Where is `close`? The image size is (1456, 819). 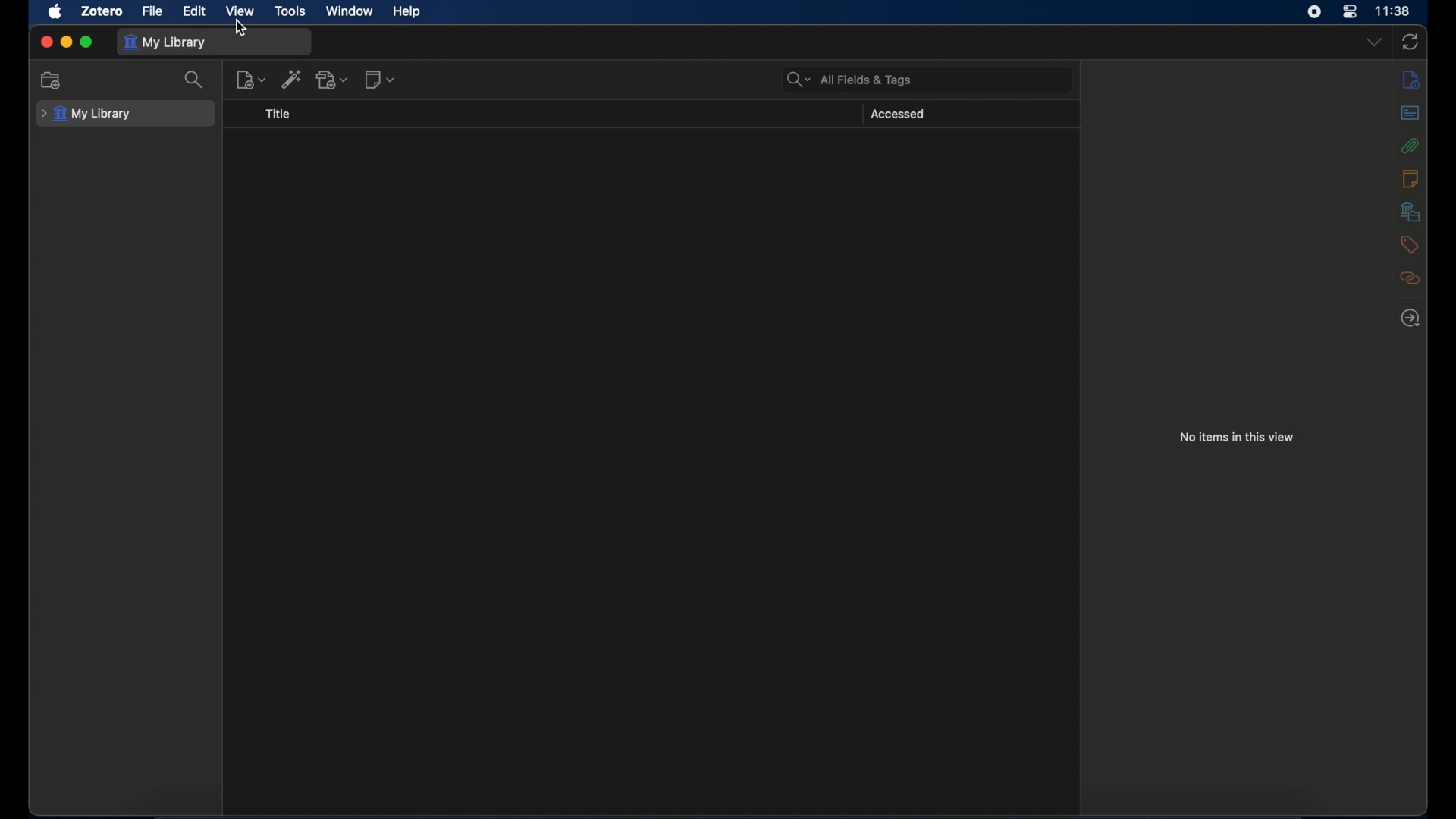
close is located at coordinates (46, 42).